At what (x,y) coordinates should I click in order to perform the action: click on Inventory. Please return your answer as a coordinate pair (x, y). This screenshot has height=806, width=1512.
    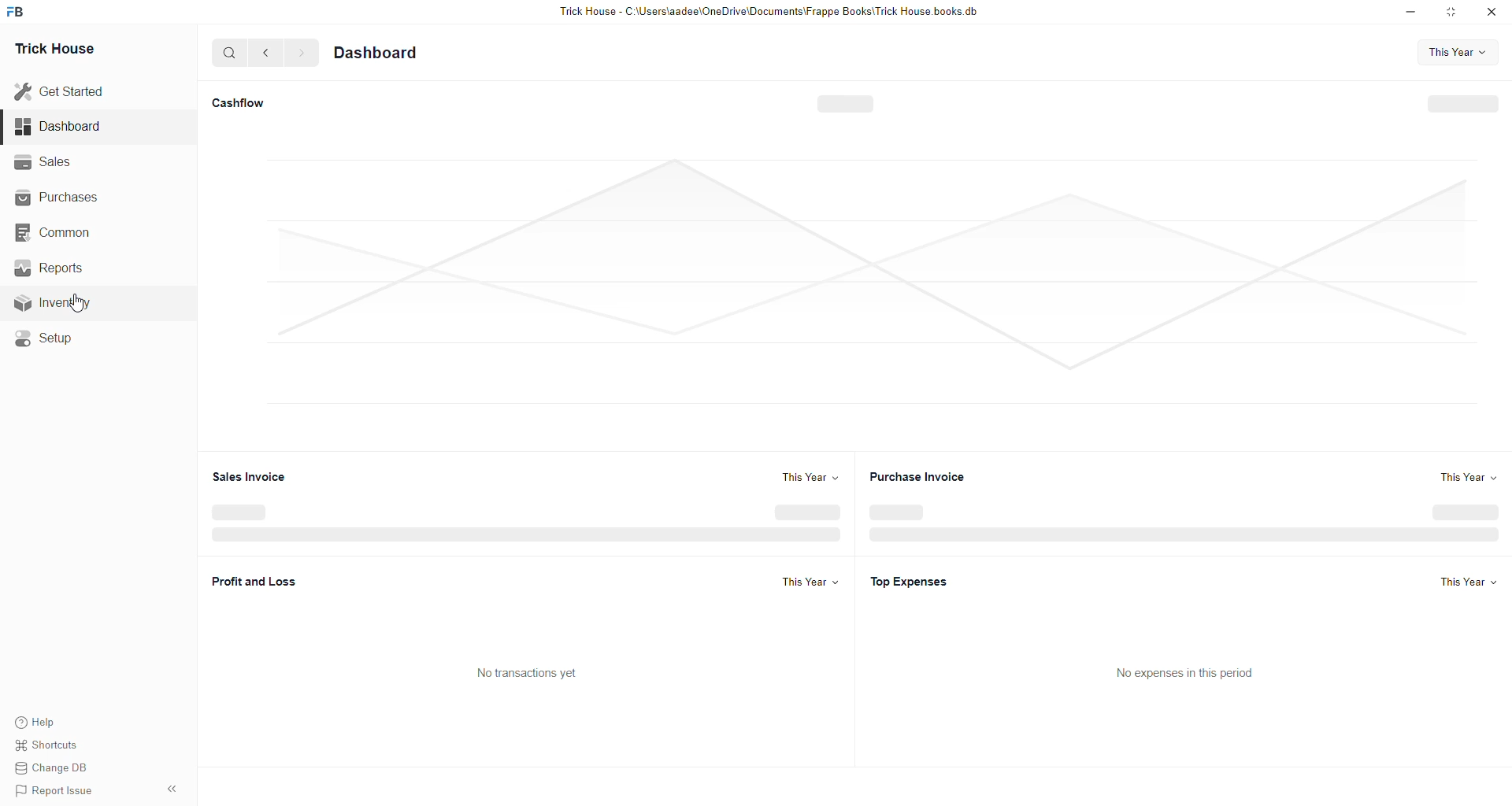
    Looking at the image, I should click on (56, 306).